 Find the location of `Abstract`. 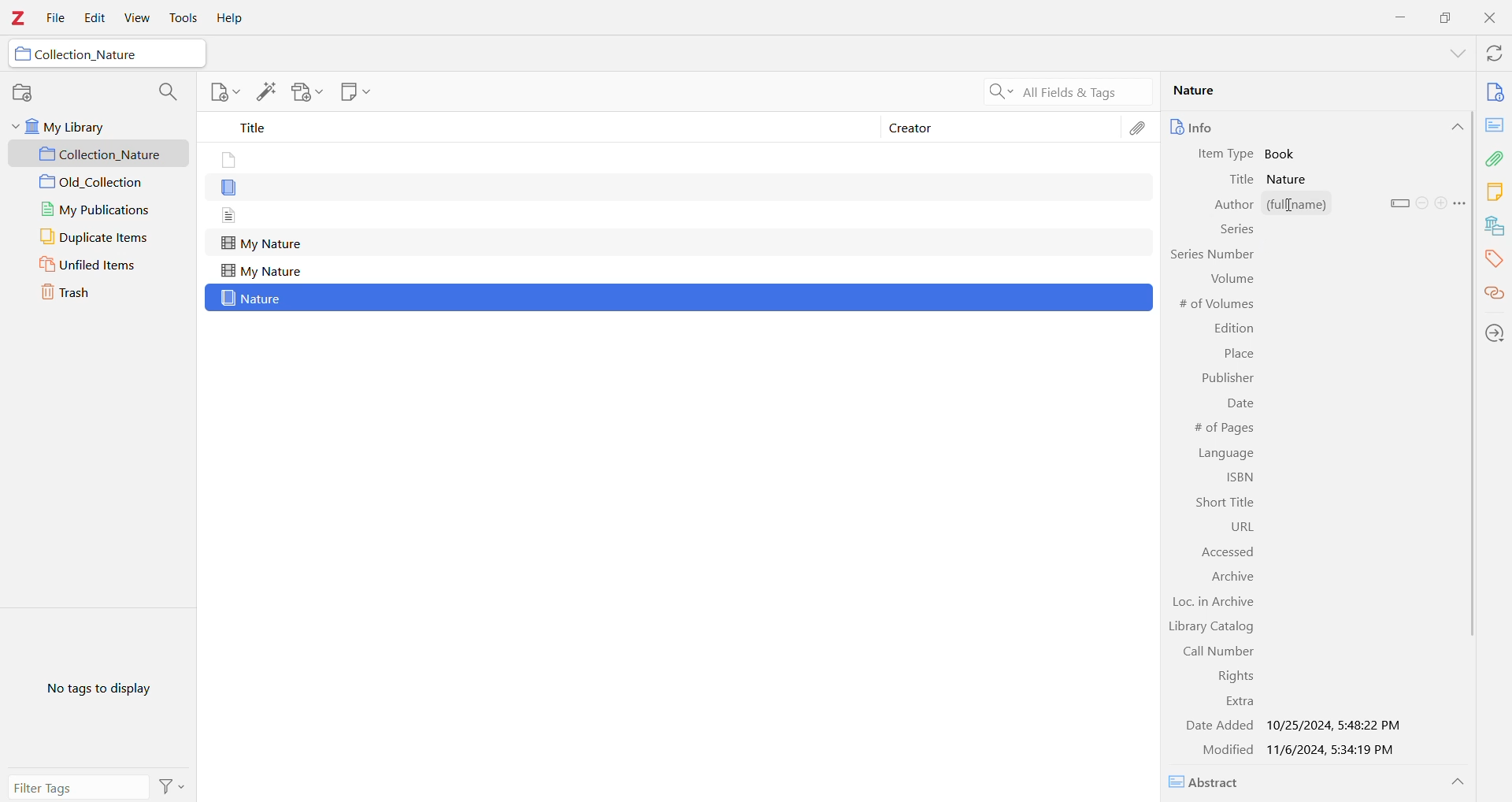

Abstract is located at coordinates (1494, 125).